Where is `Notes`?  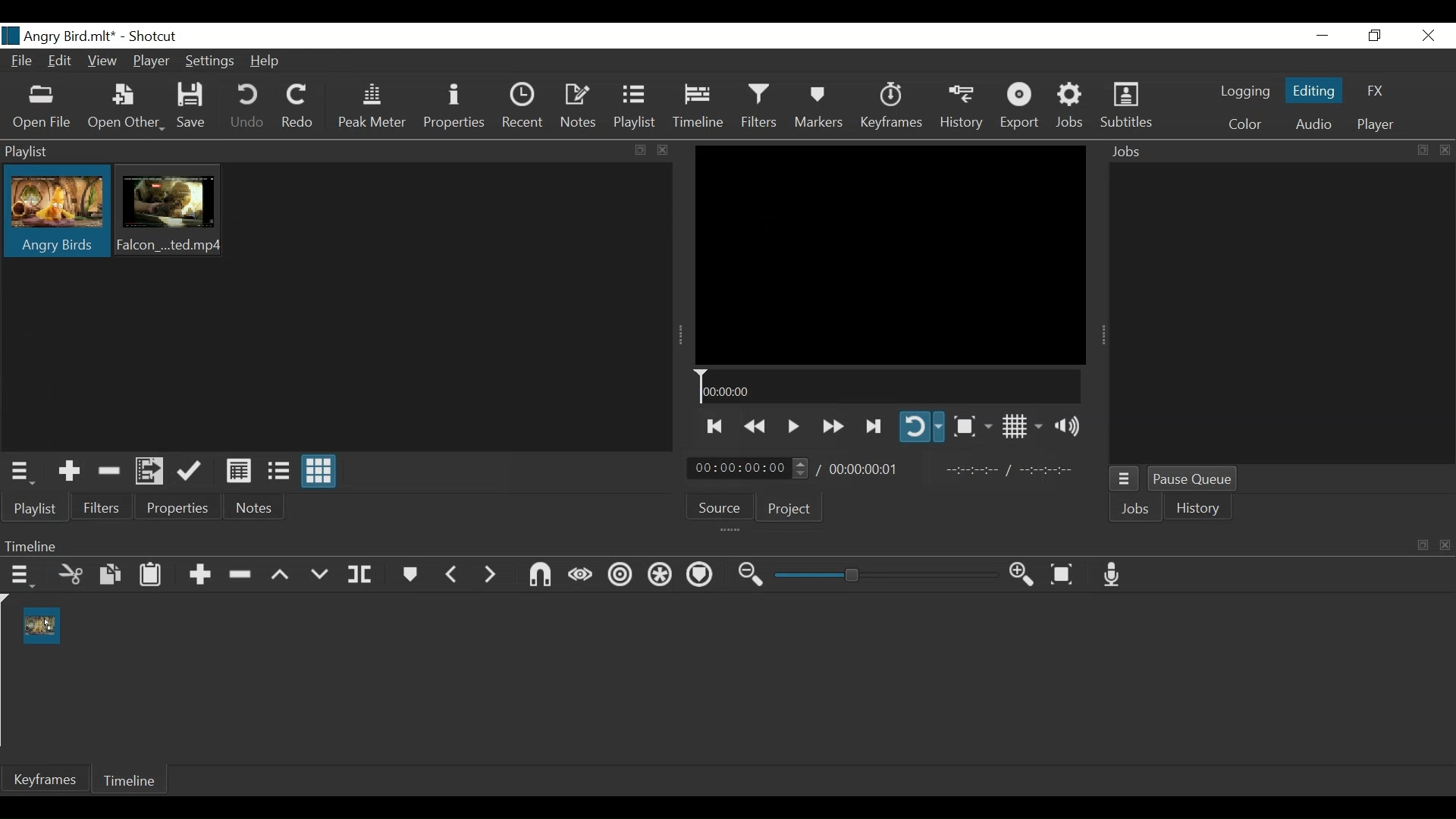
Notes is located at coordinates (581, 108).